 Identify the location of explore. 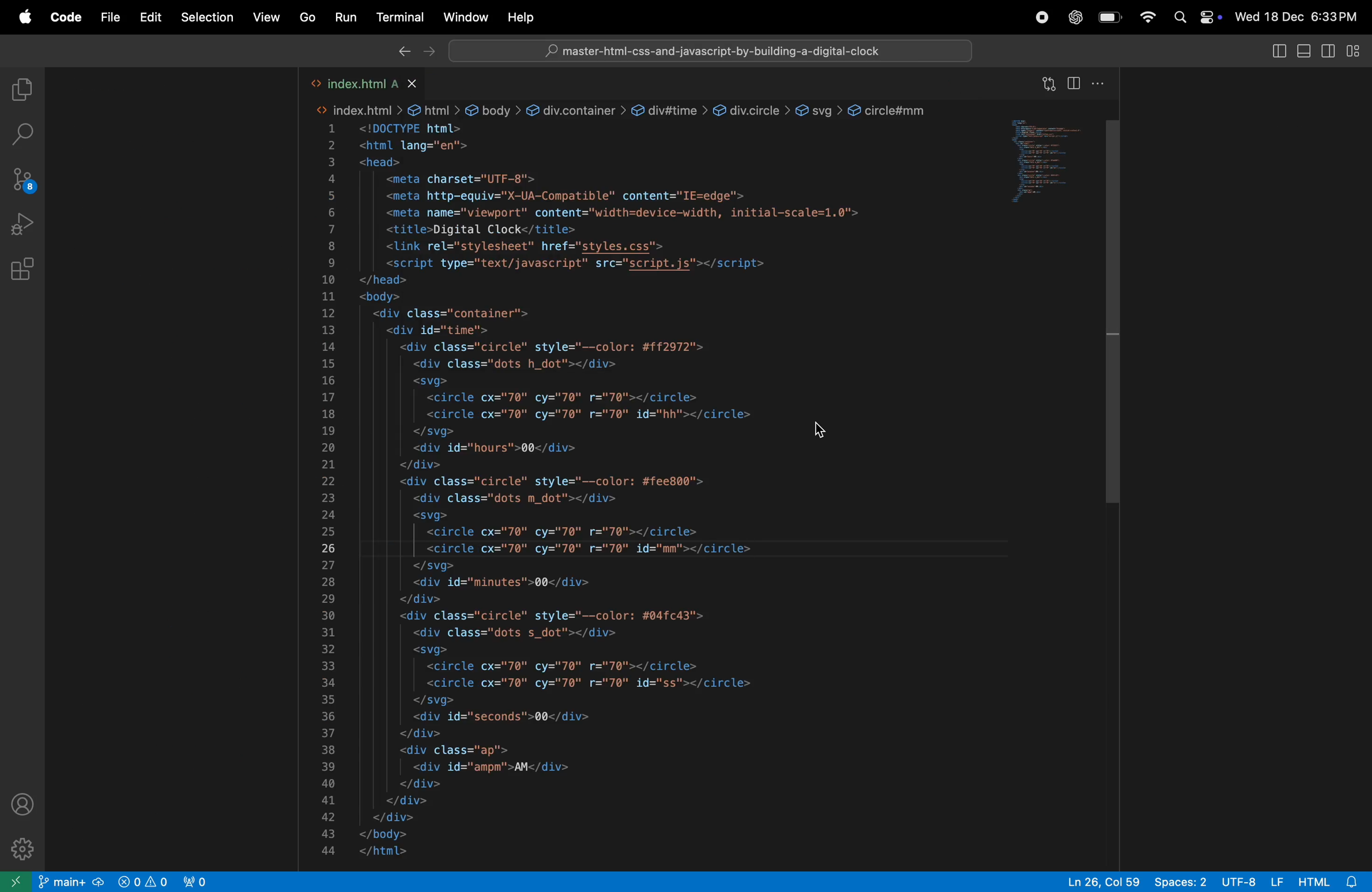
(24, 90).